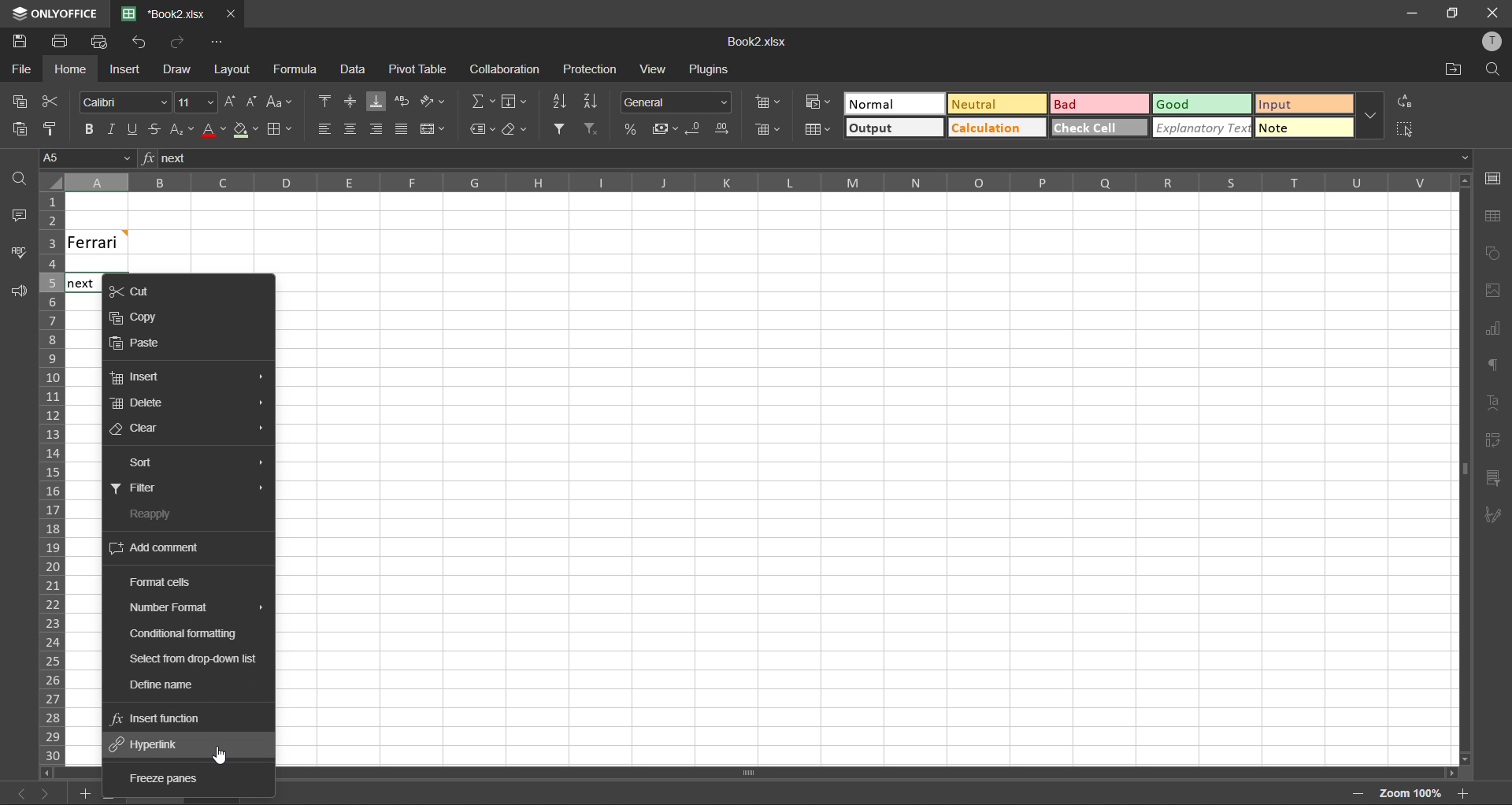 The width and height of the screenshot is (1512, 805). I want to click on slicer, so click(1492, 478).